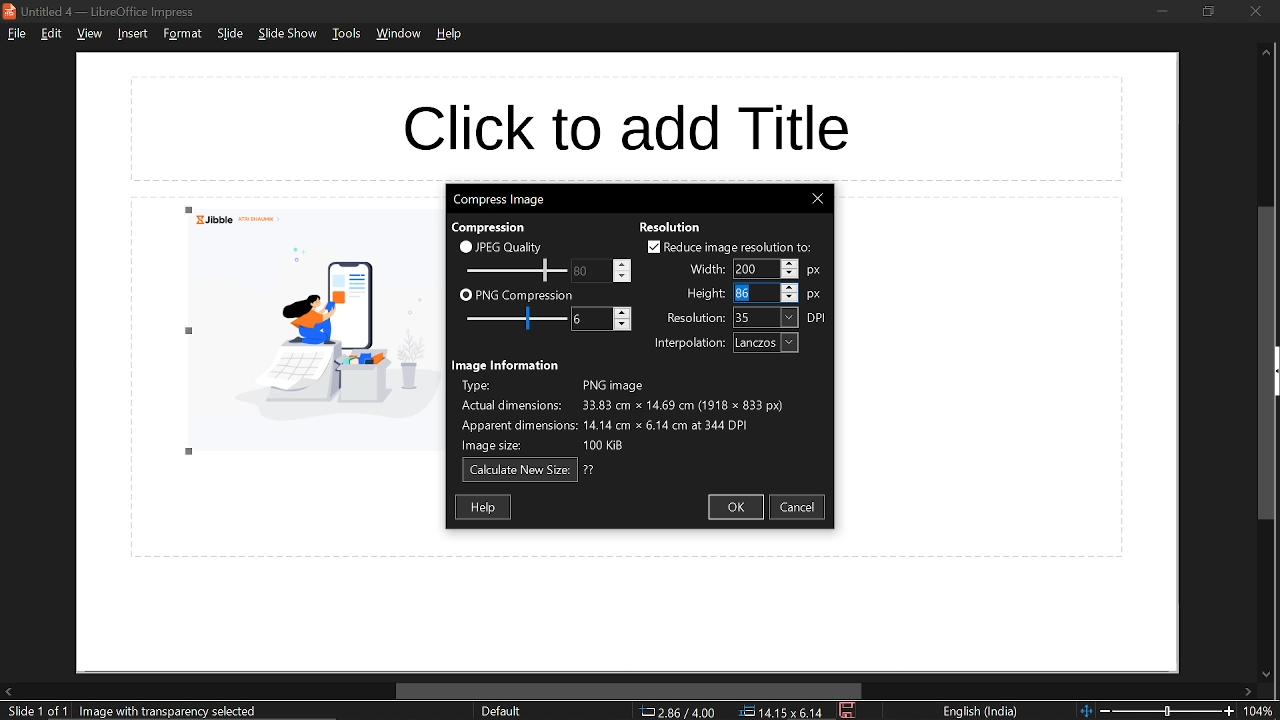 The image size is (1280, 720). What do you see at coordinates (230, 34) in the screenshot?
I see `slide` at bounding box center [230, 34].